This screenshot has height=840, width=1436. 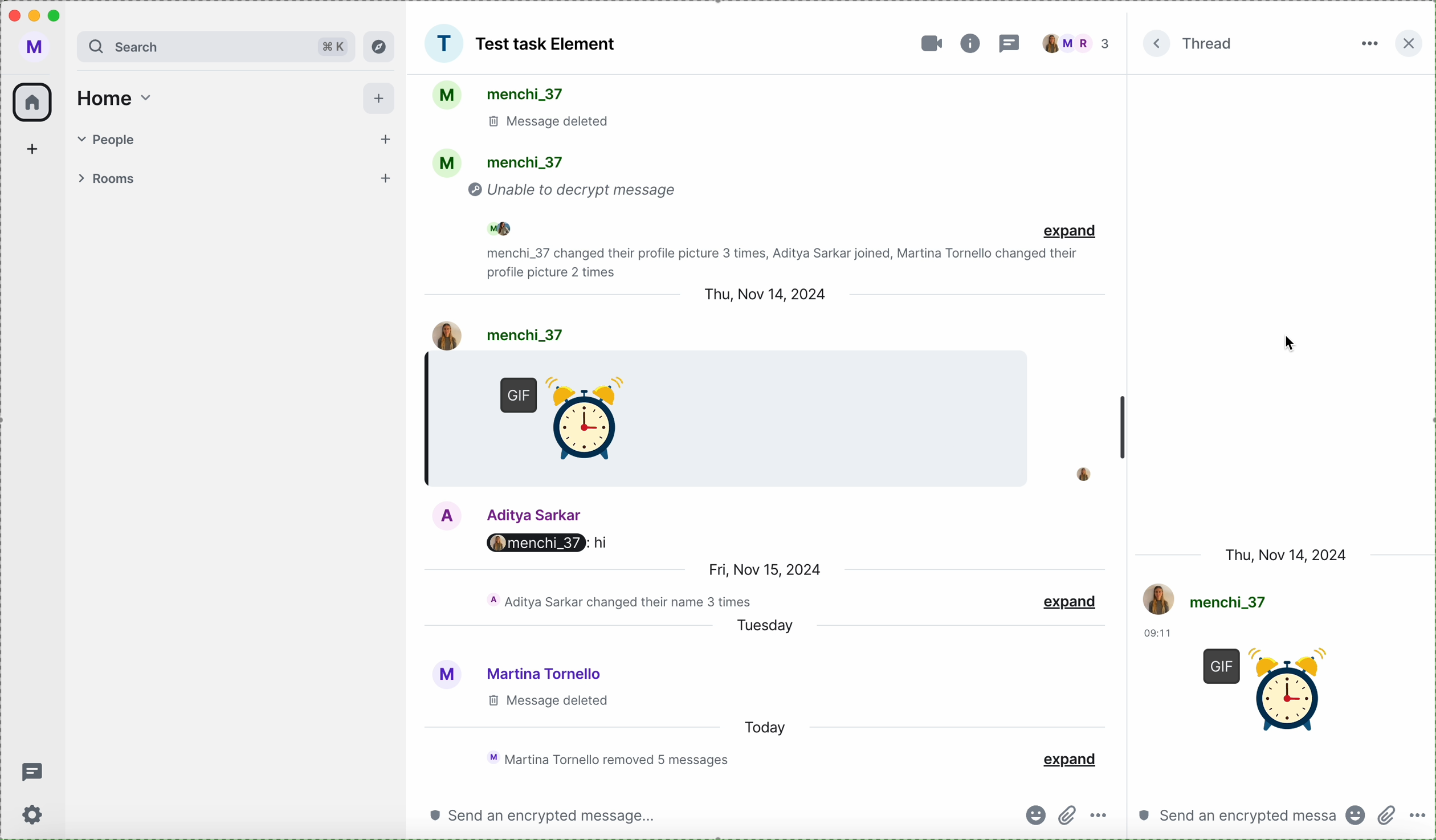 What do you see at coordinates (1420, 817) in the screenshot?
I see `more options` at bounding box center [1420, 817].